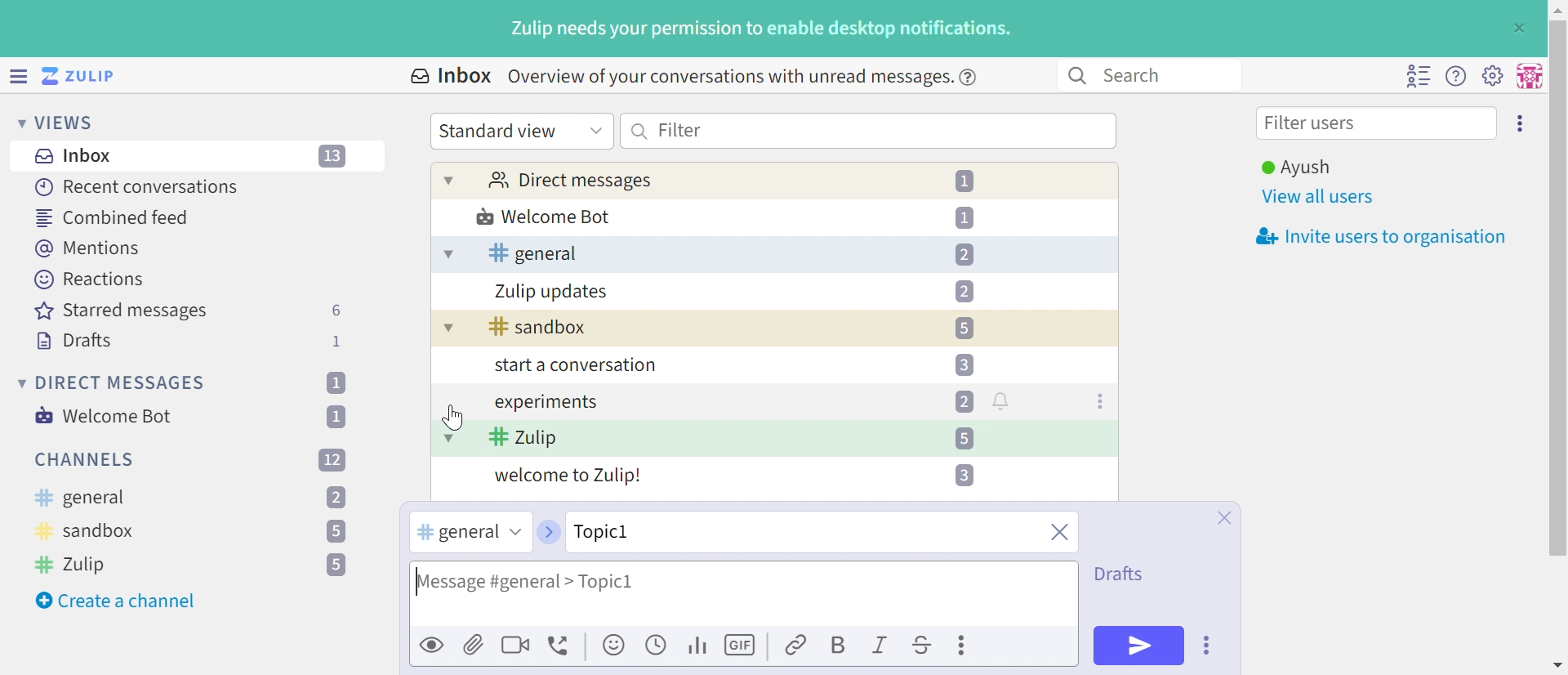  What do you see at coordinates (680, 129) in the screenshot?
I see `Filter` at bounding box center [680, 129].